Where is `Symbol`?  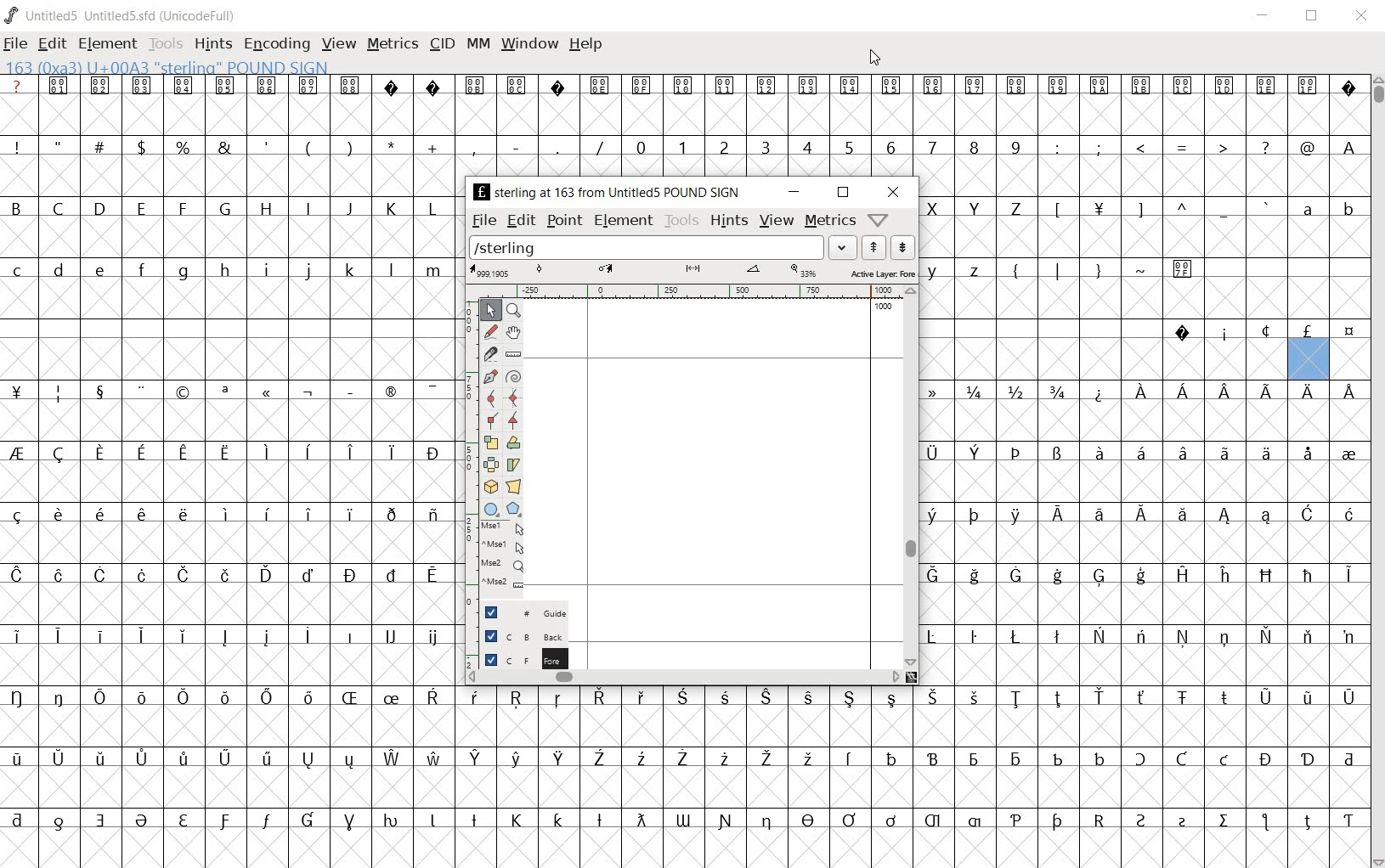
Symbol is located at coordinates (60, 820).